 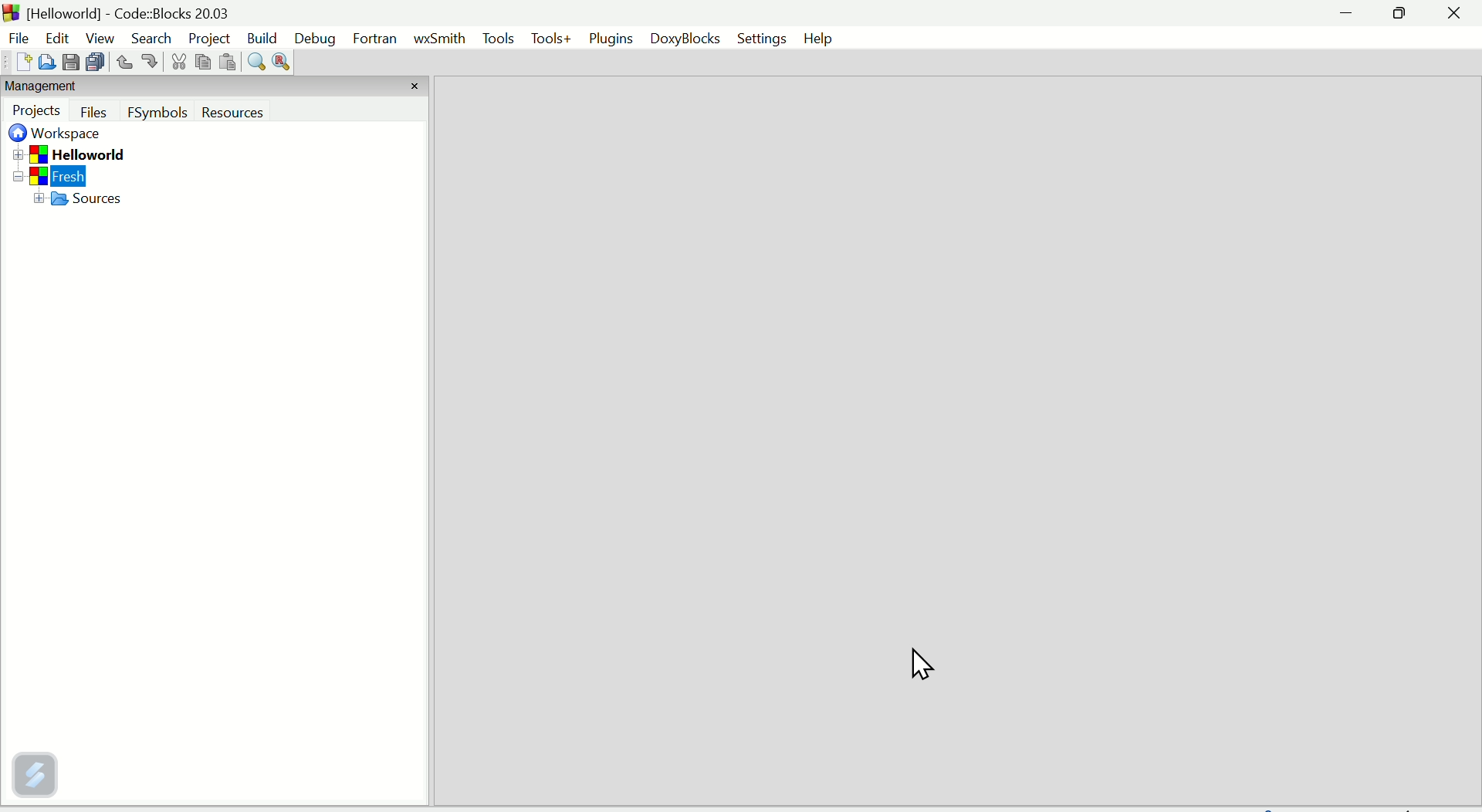 What do you see at coordinates (72, 62) in the screenshot?
I see `Save` at bounding box center [72, 62].